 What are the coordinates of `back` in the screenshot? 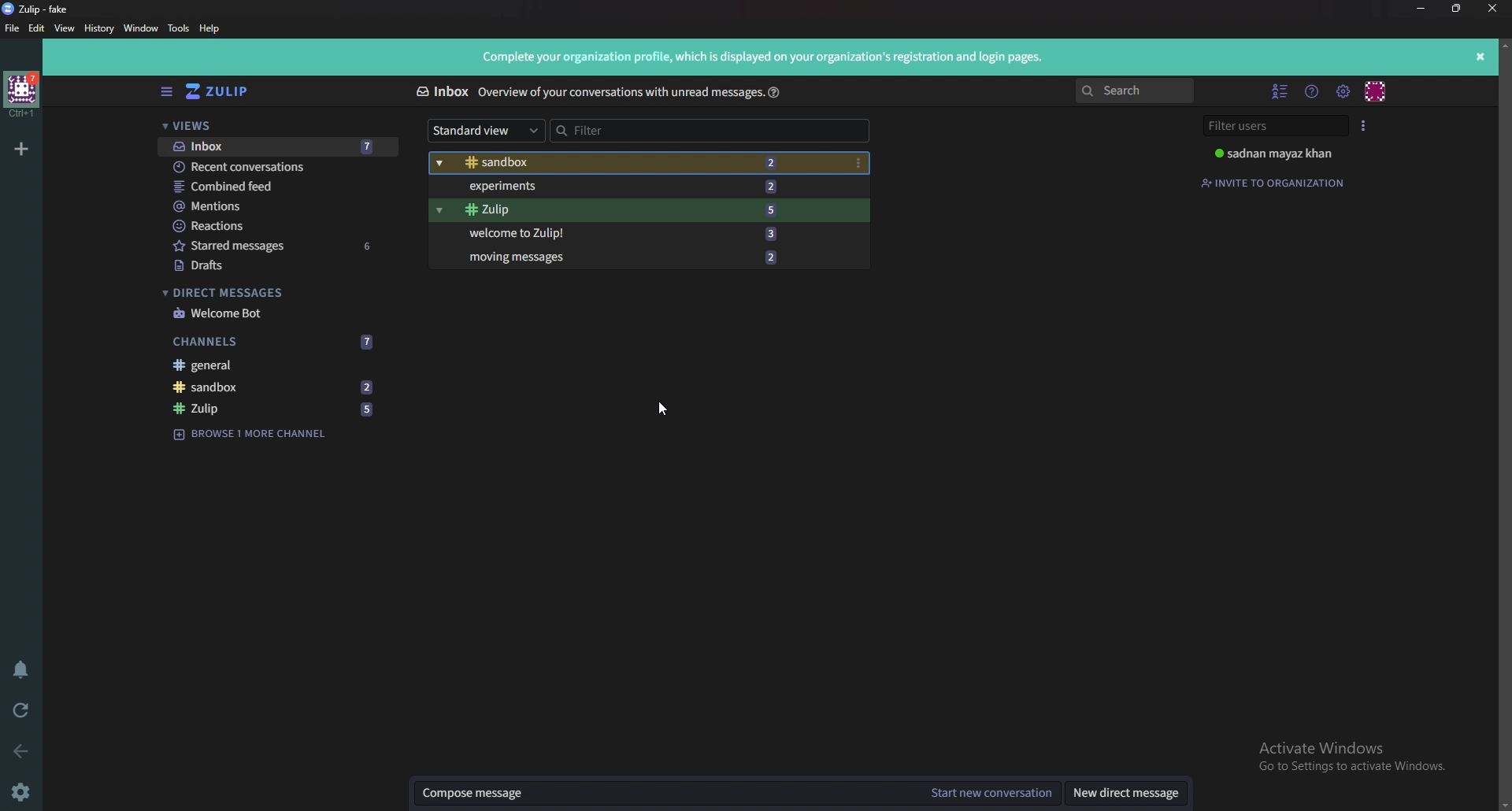 It's located at (24, 753).